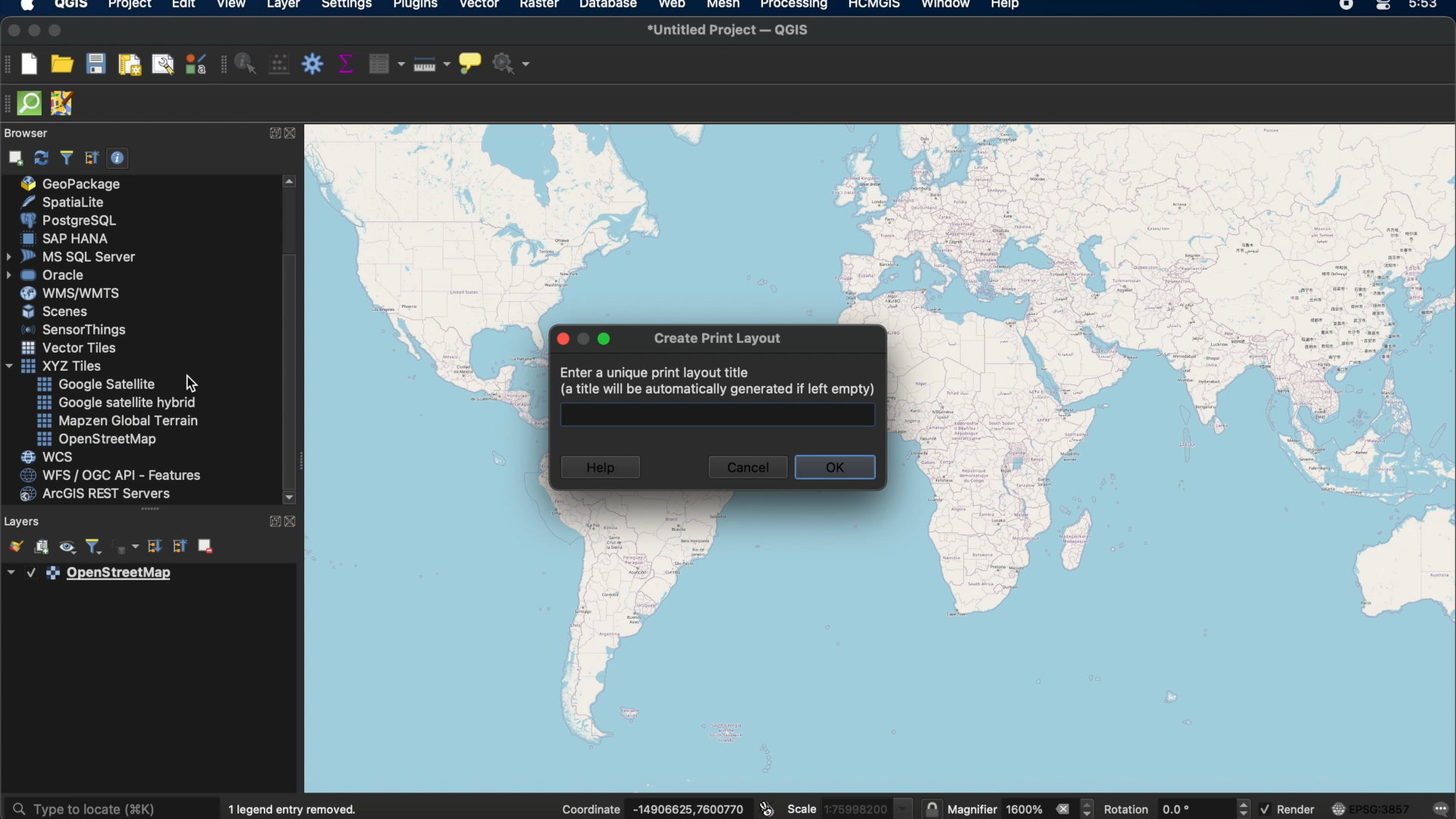  I want to click on edit, so click(184, 6).